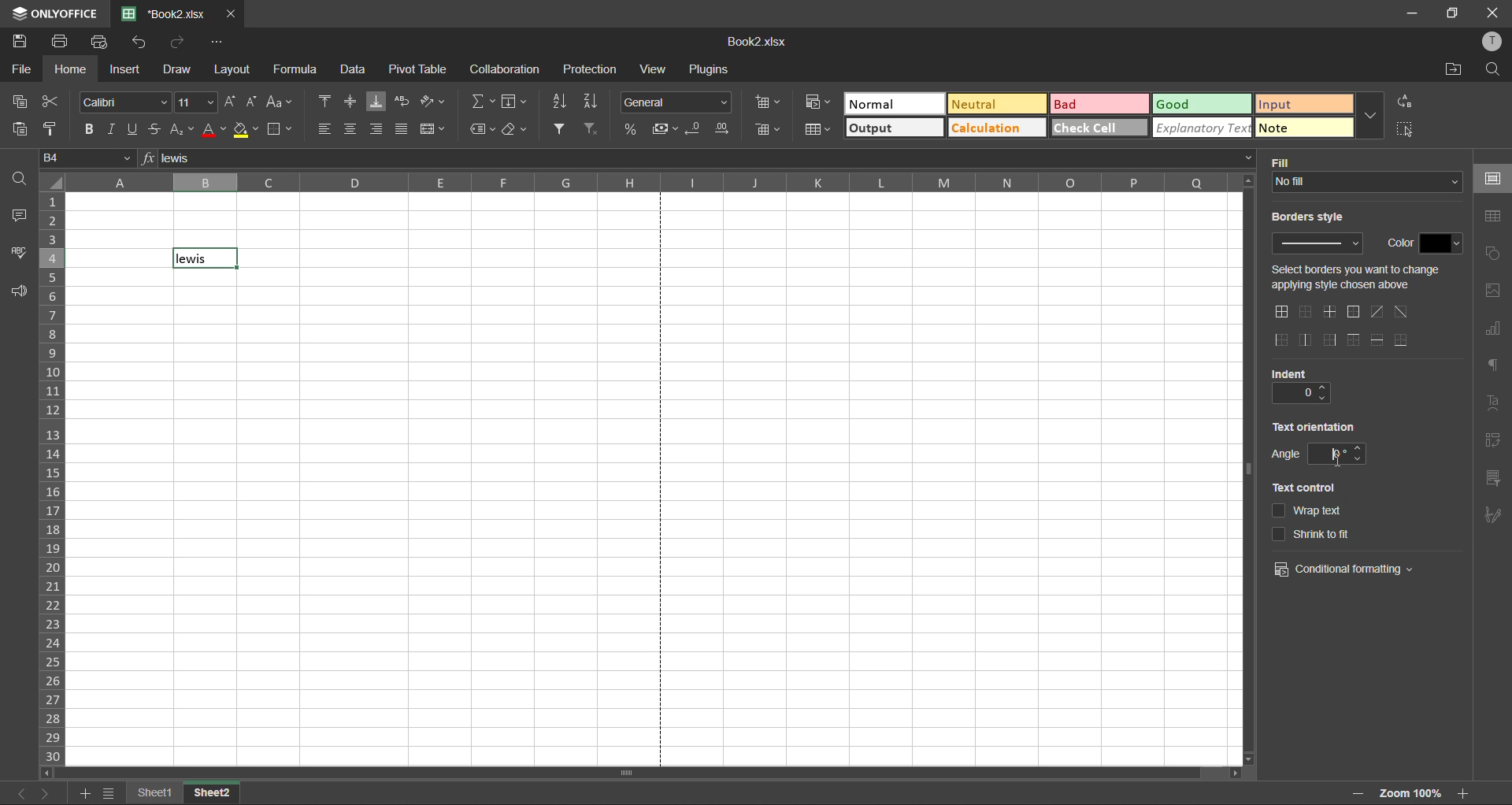 This screenshot has width=1512, height=805. I want to click on calculation, so click(995, 131).